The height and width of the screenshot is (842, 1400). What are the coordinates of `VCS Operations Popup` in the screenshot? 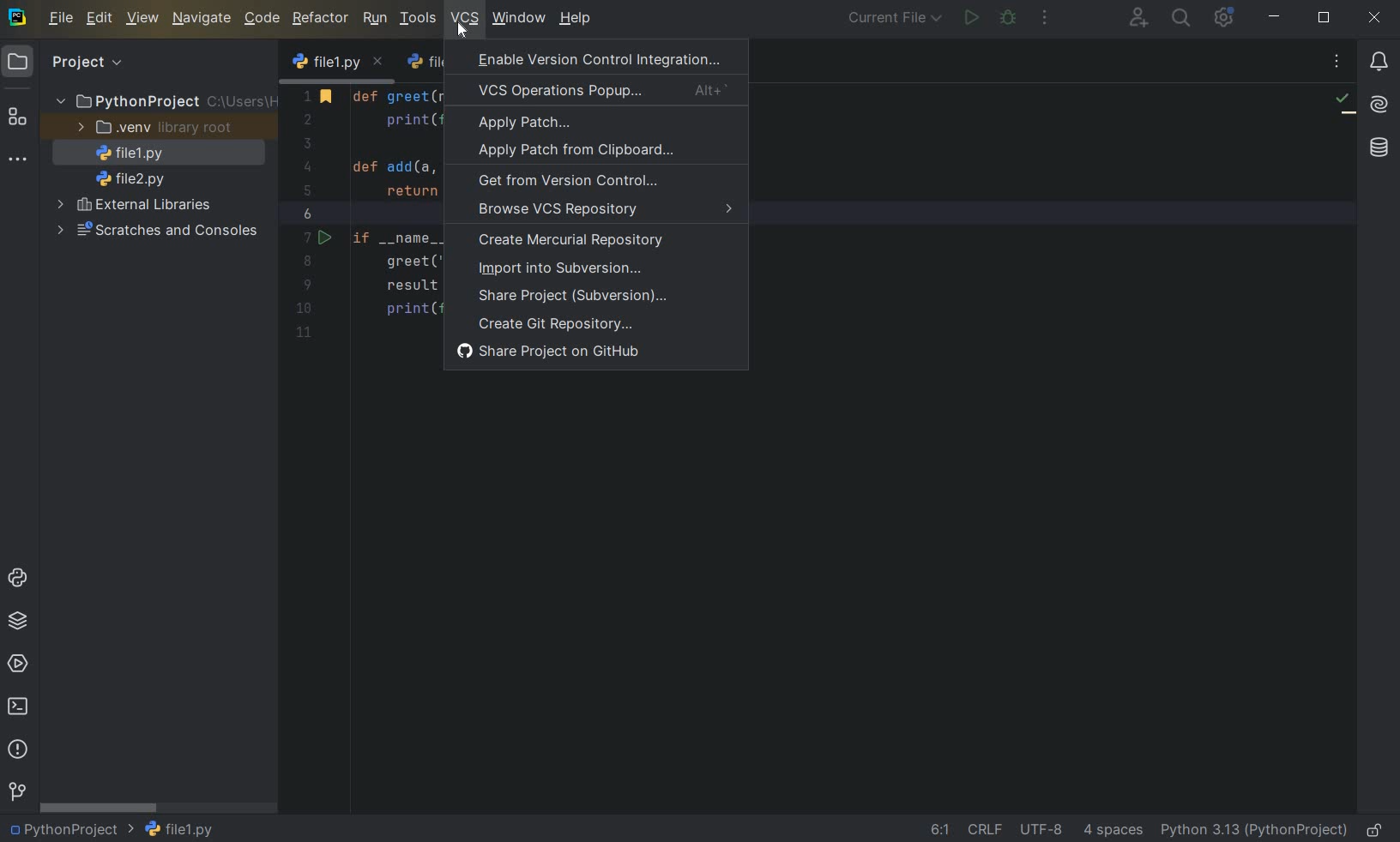 It's located at (601, 89).